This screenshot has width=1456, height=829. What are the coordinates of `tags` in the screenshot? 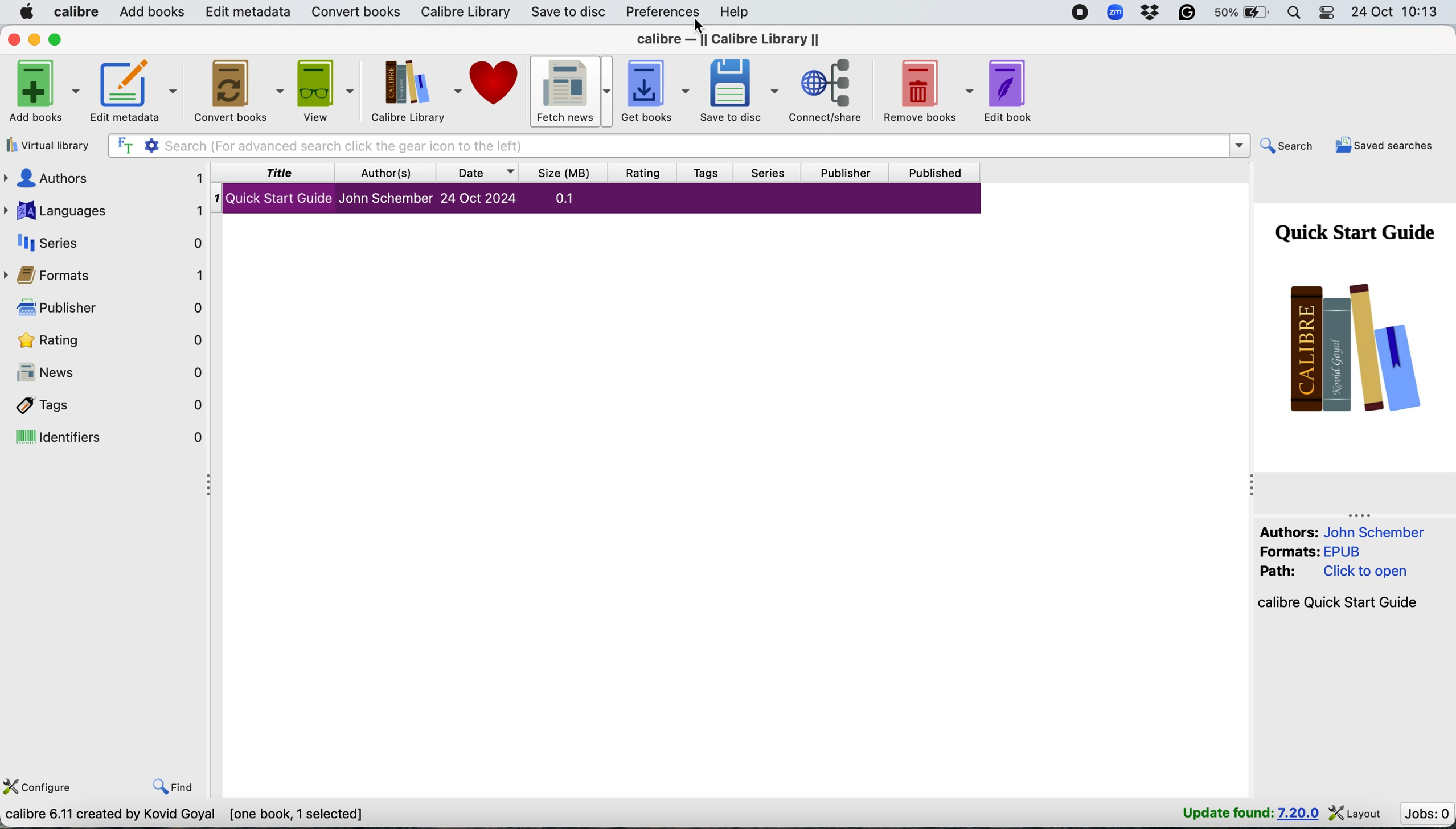 It's located at (709, 172).